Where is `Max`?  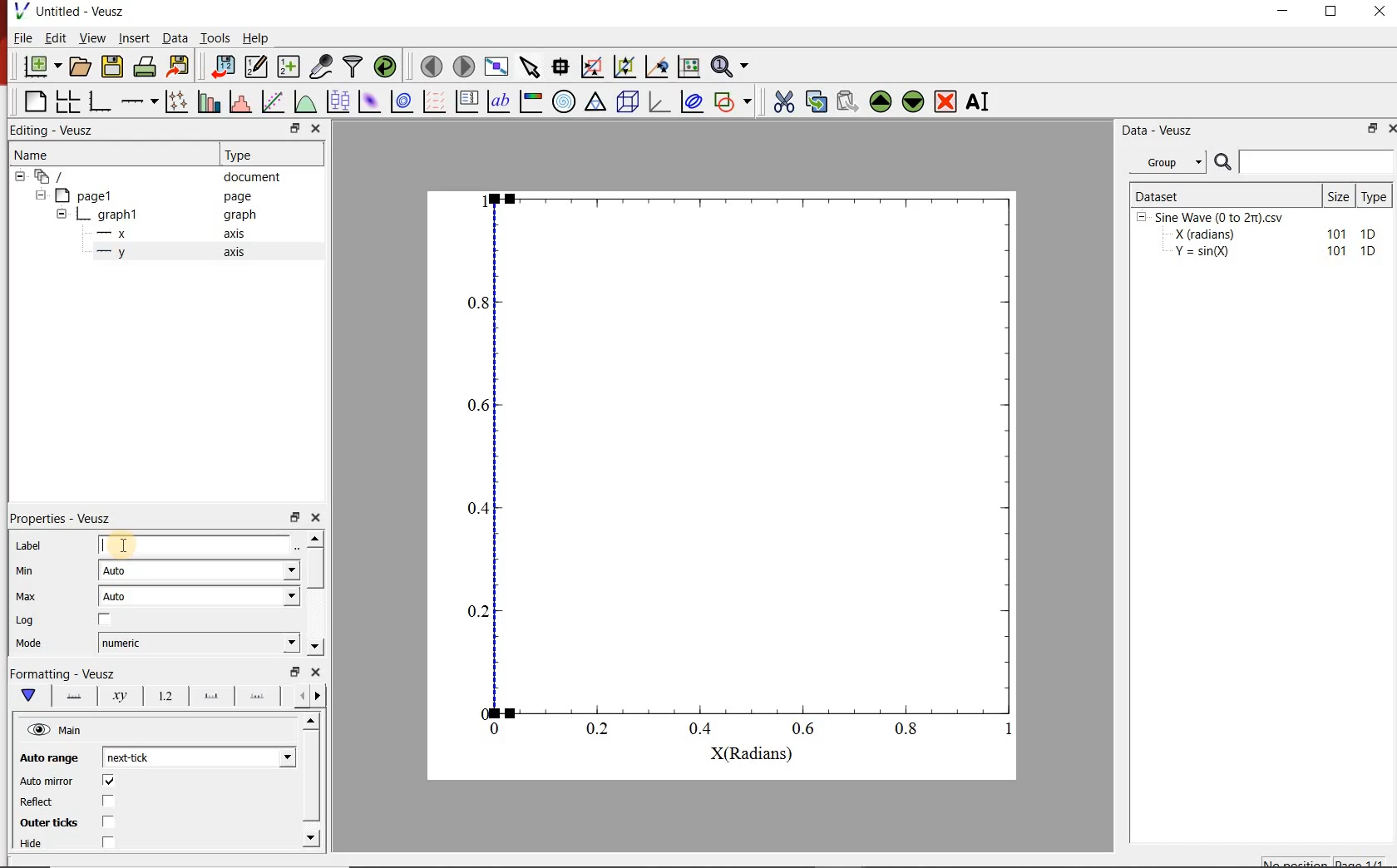
Max is located at coordinates (27, 596).